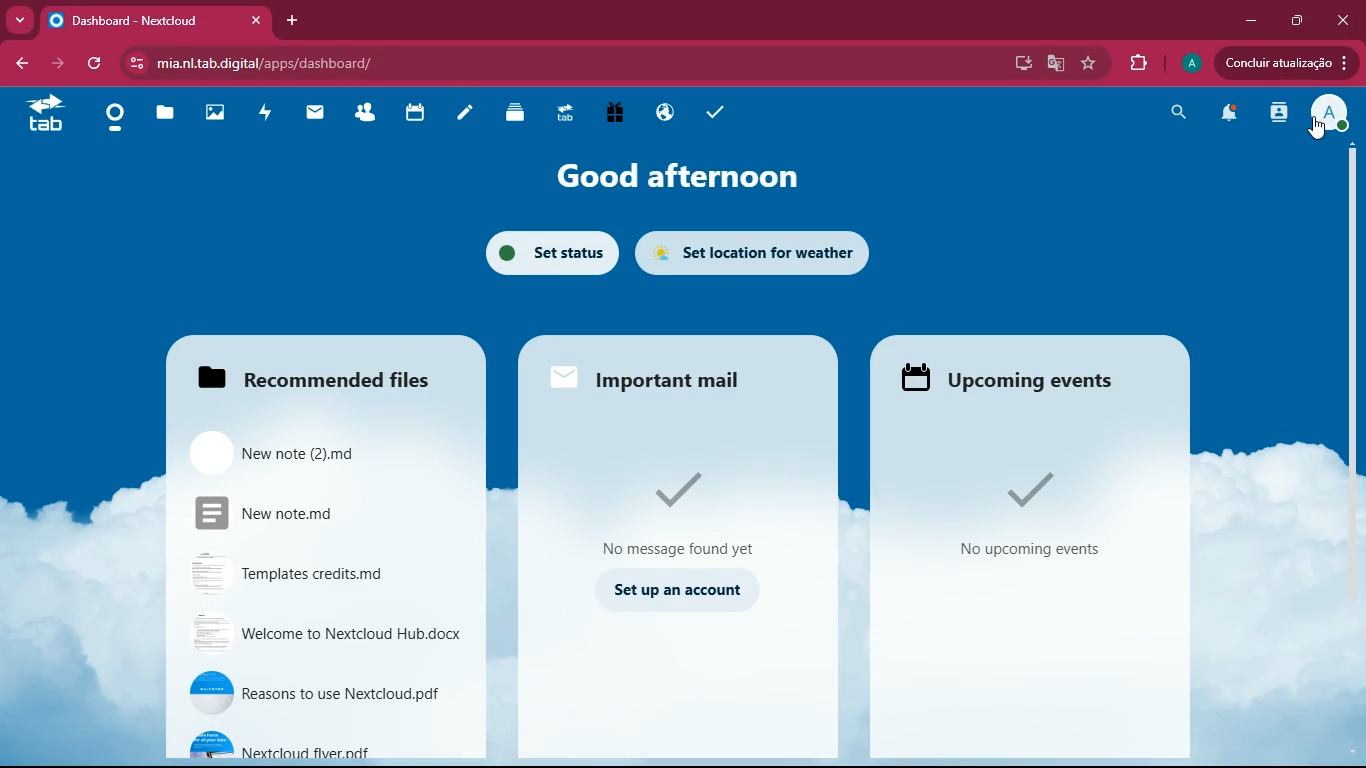 This screenshot has height=768, width=1366. What do you see at coordinates (660, 372) in the screenshot?
I see `Important mail` at bounding box center [660, 372].